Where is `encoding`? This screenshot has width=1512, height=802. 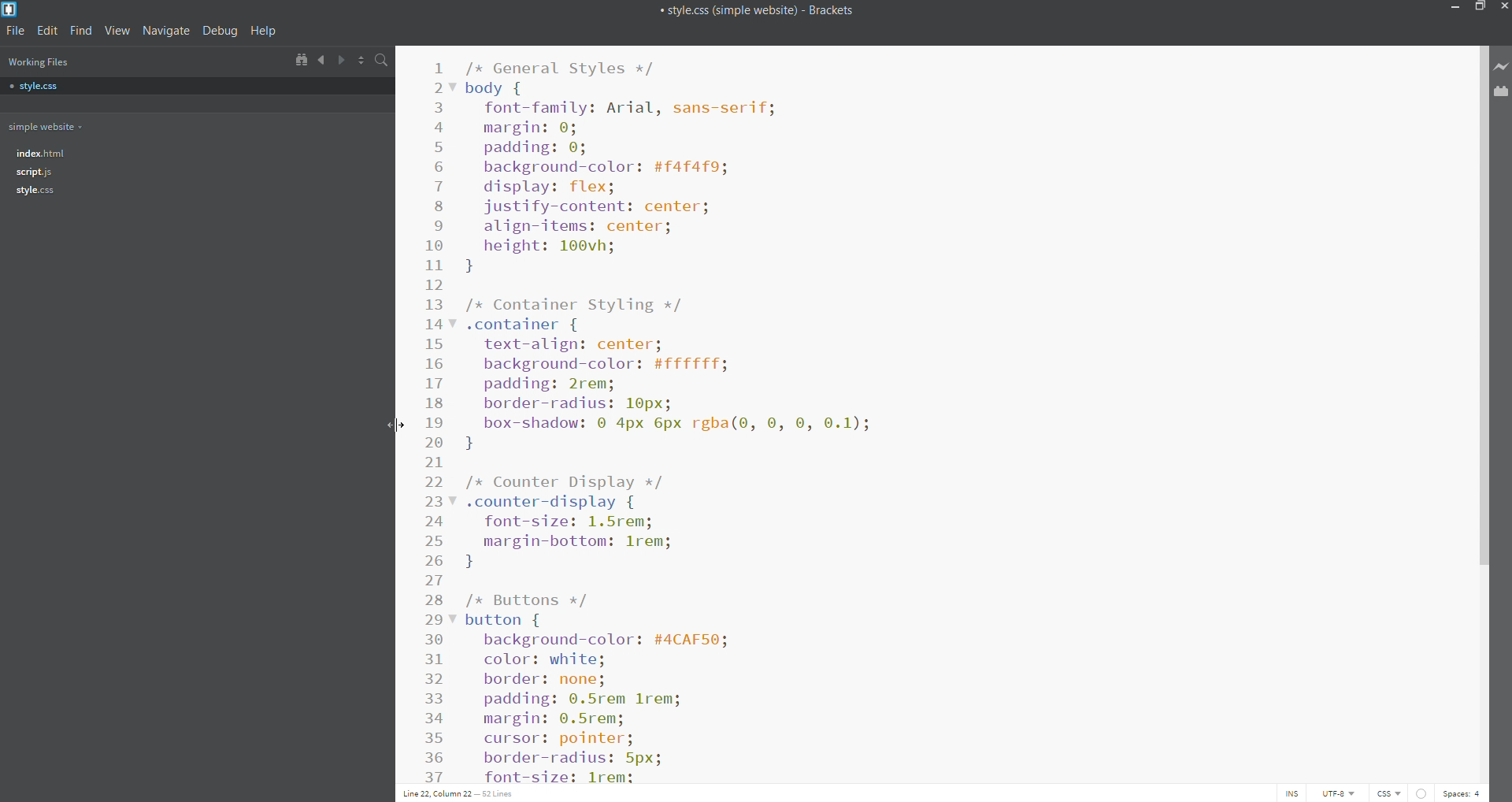
encoding is located at coordinates (1336, 793).